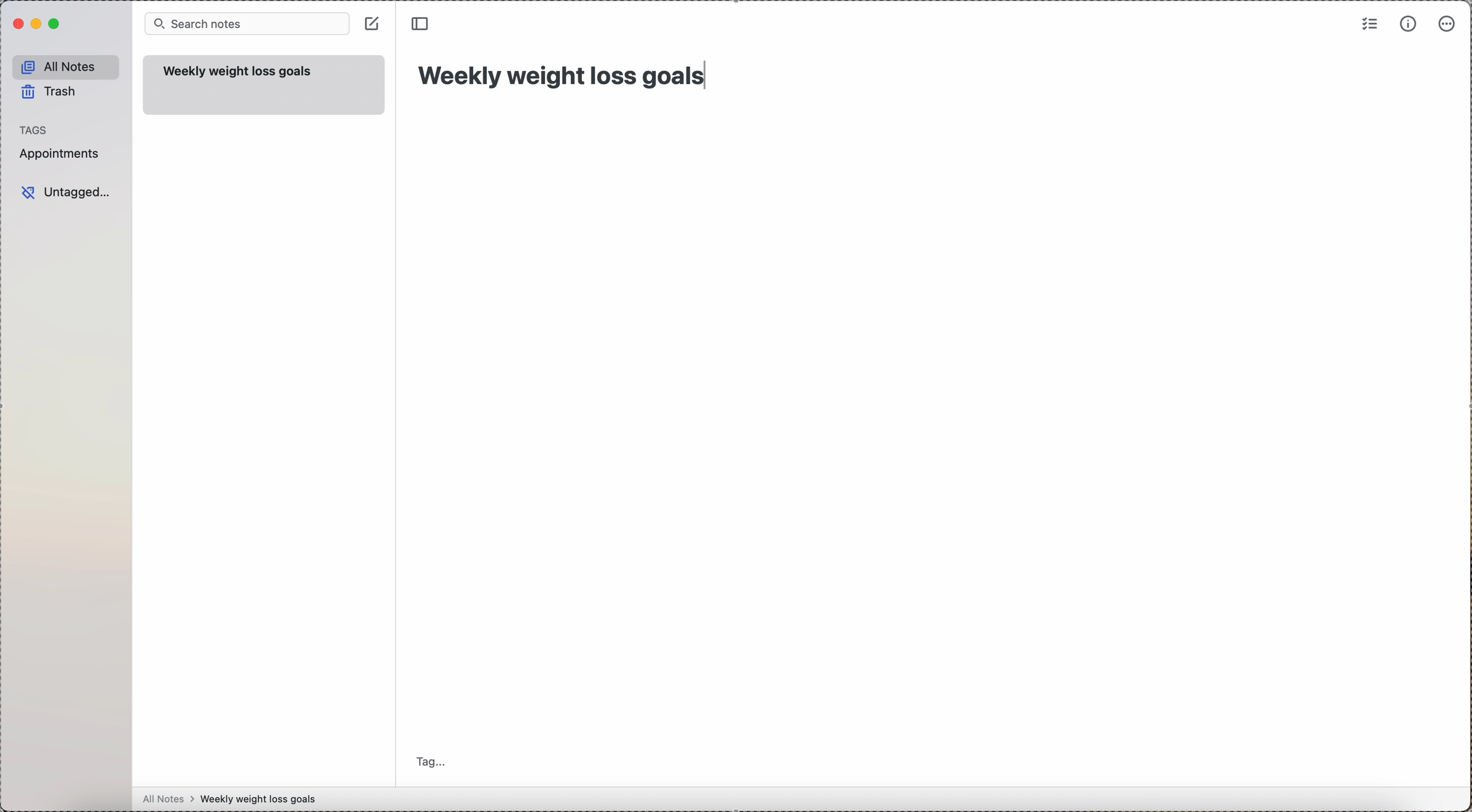 The width and height of the screenshot is (1472, 812). I want to click on metrics, so click(1407, 25).